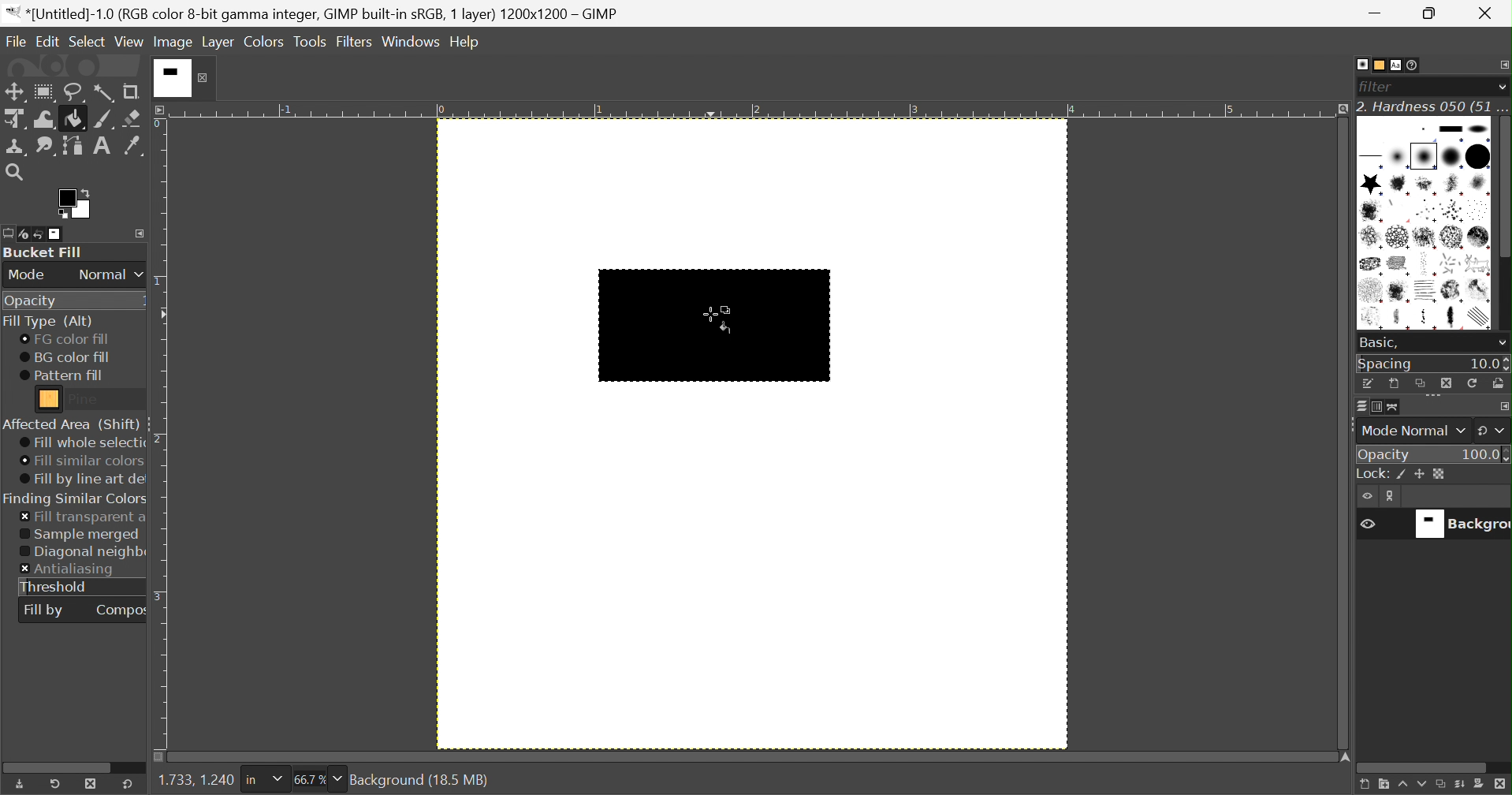  What do you see at coordinates (162, 109) in the screenshot?
I see `Access the image menu` at bounding box center [162, 109].